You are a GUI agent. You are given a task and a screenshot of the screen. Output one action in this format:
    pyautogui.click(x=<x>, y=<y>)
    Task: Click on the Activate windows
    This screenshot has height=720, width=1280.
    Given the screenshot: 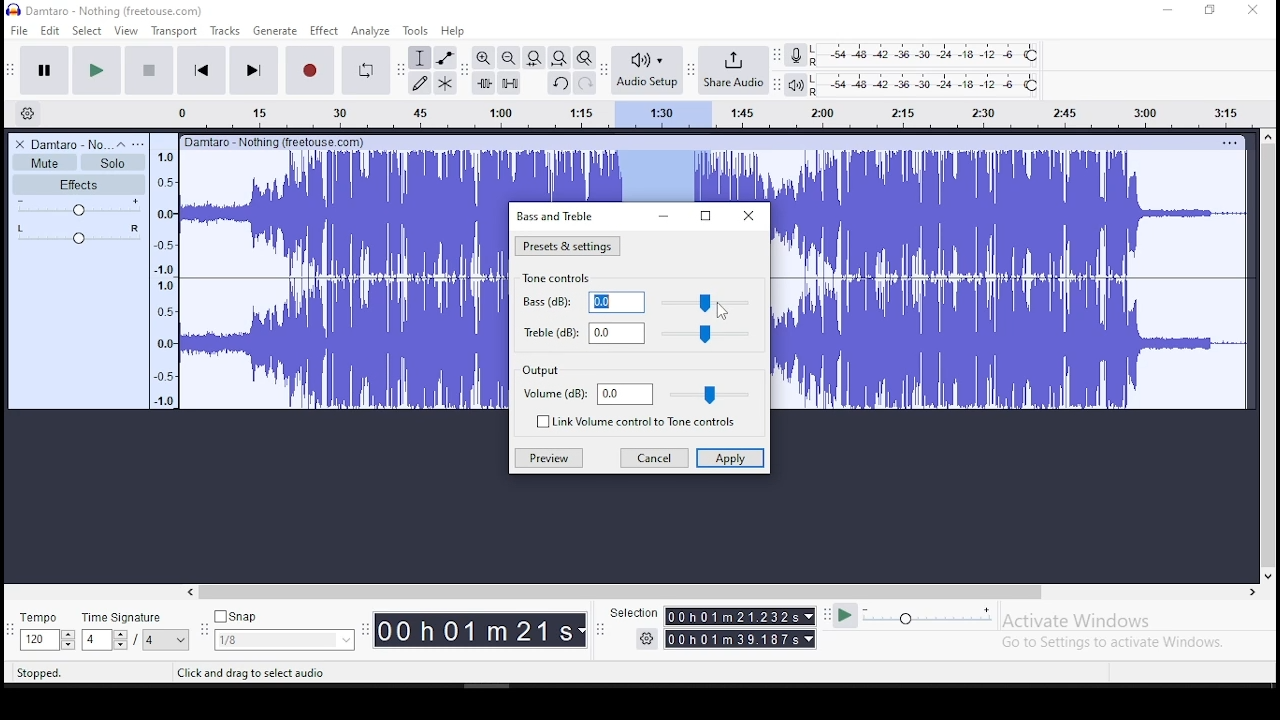 What is the action you would take?
    pyautogui.click(x=1074, y=621)
    